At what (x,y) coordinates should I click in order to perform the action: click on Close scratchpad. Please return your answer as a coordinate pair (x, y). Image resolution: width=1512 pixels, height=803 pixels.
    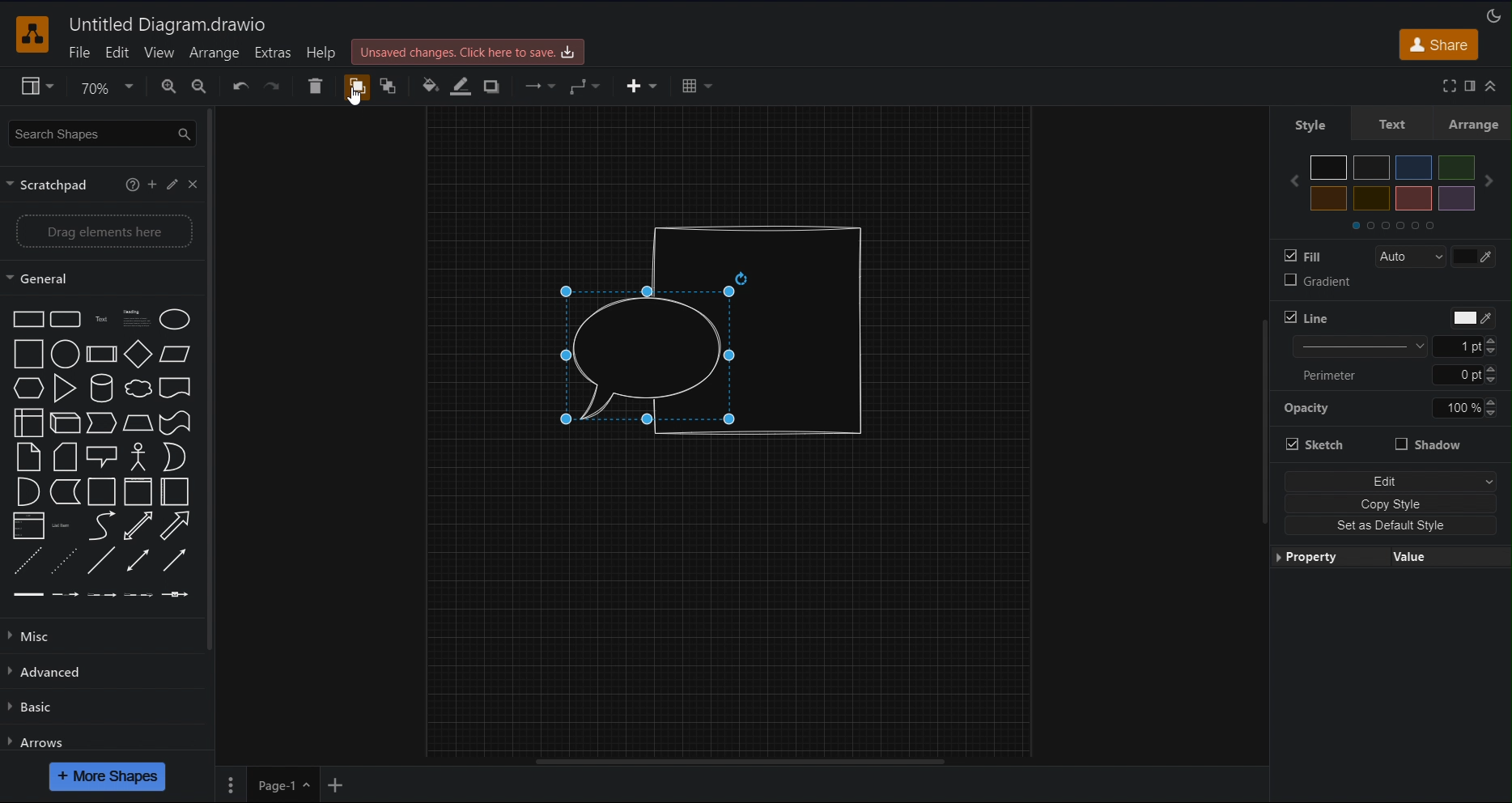
    Looking at the image, I should click on (192, 184).